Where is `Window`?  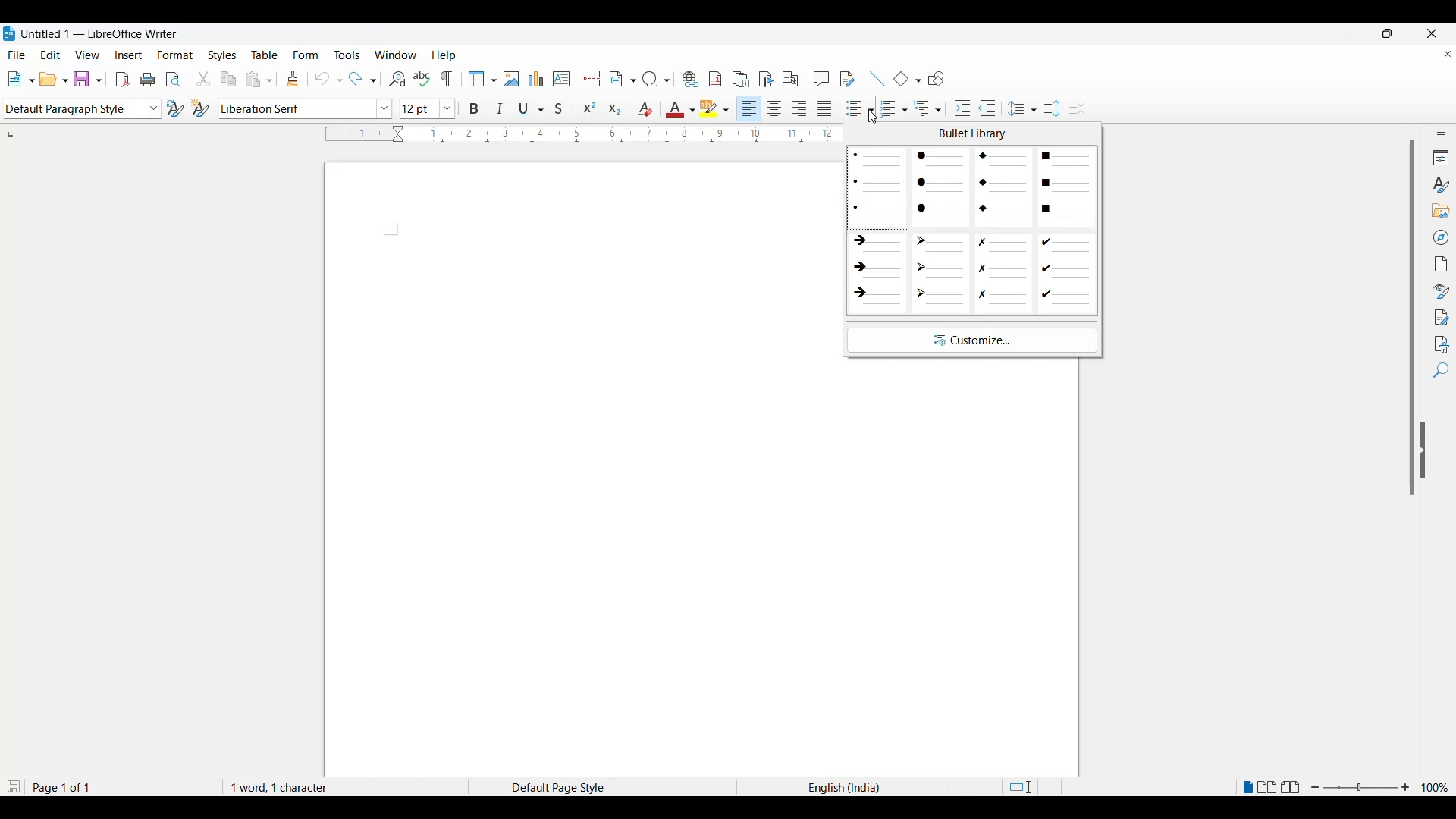
Window is located at coordinates (396, 53).